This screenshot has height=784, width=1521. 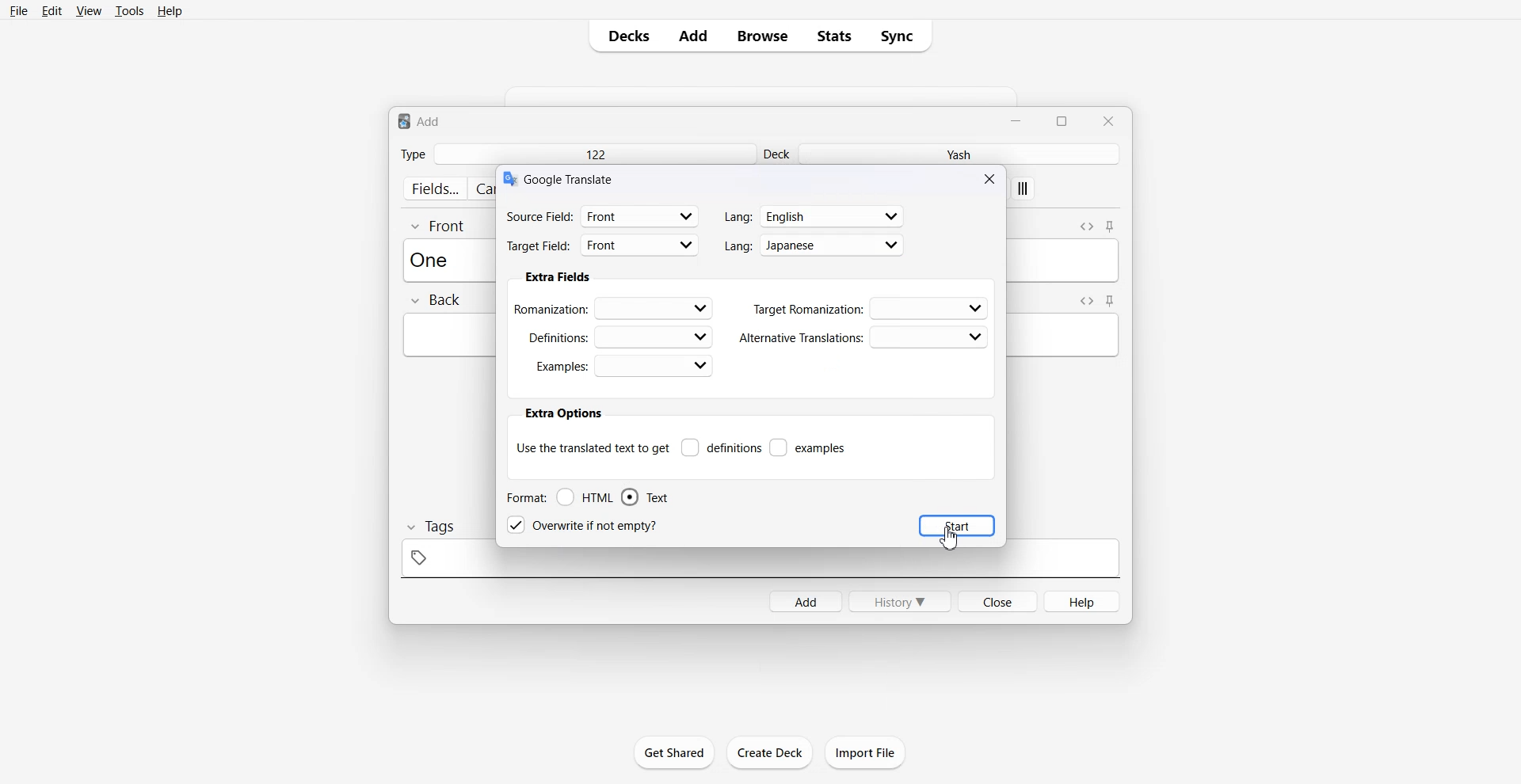 I want to click on Help, so click(x=170, y=10).